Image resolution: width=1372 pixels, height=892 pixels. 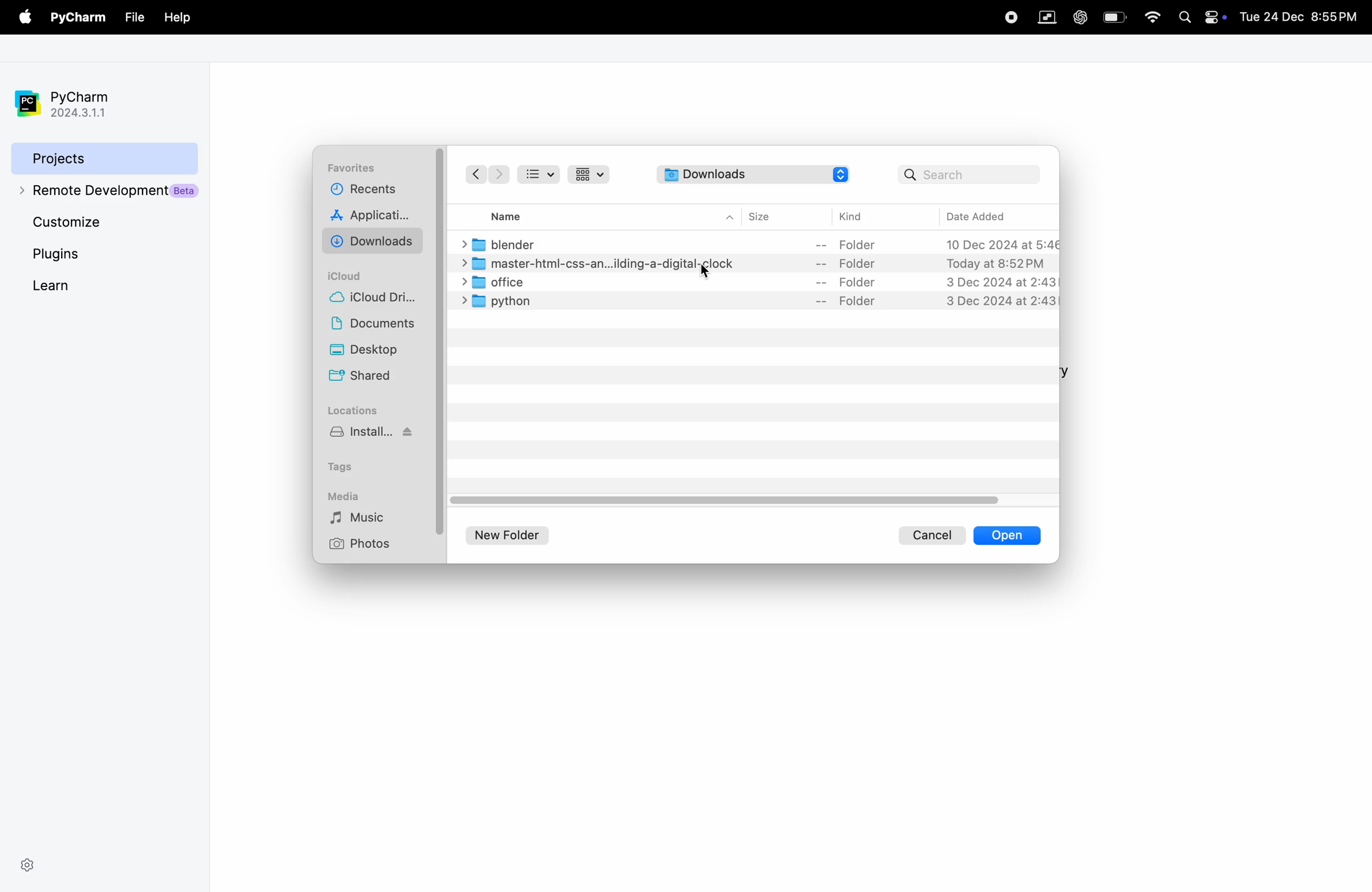 I want to click on wifi, so click(x=1149, y=18).